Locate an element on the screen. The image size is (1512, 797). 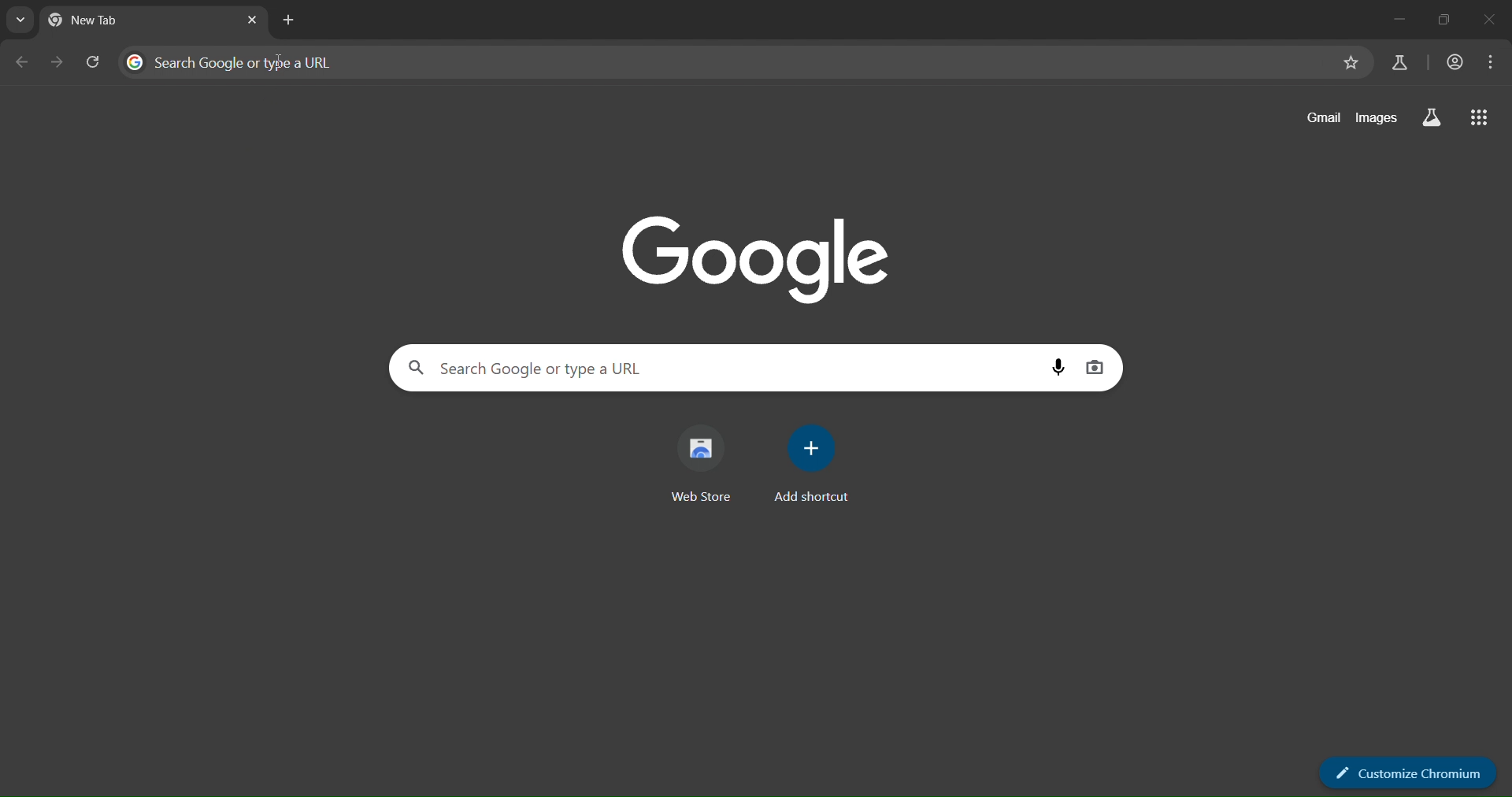
Google is located at coordinates (758, 258).